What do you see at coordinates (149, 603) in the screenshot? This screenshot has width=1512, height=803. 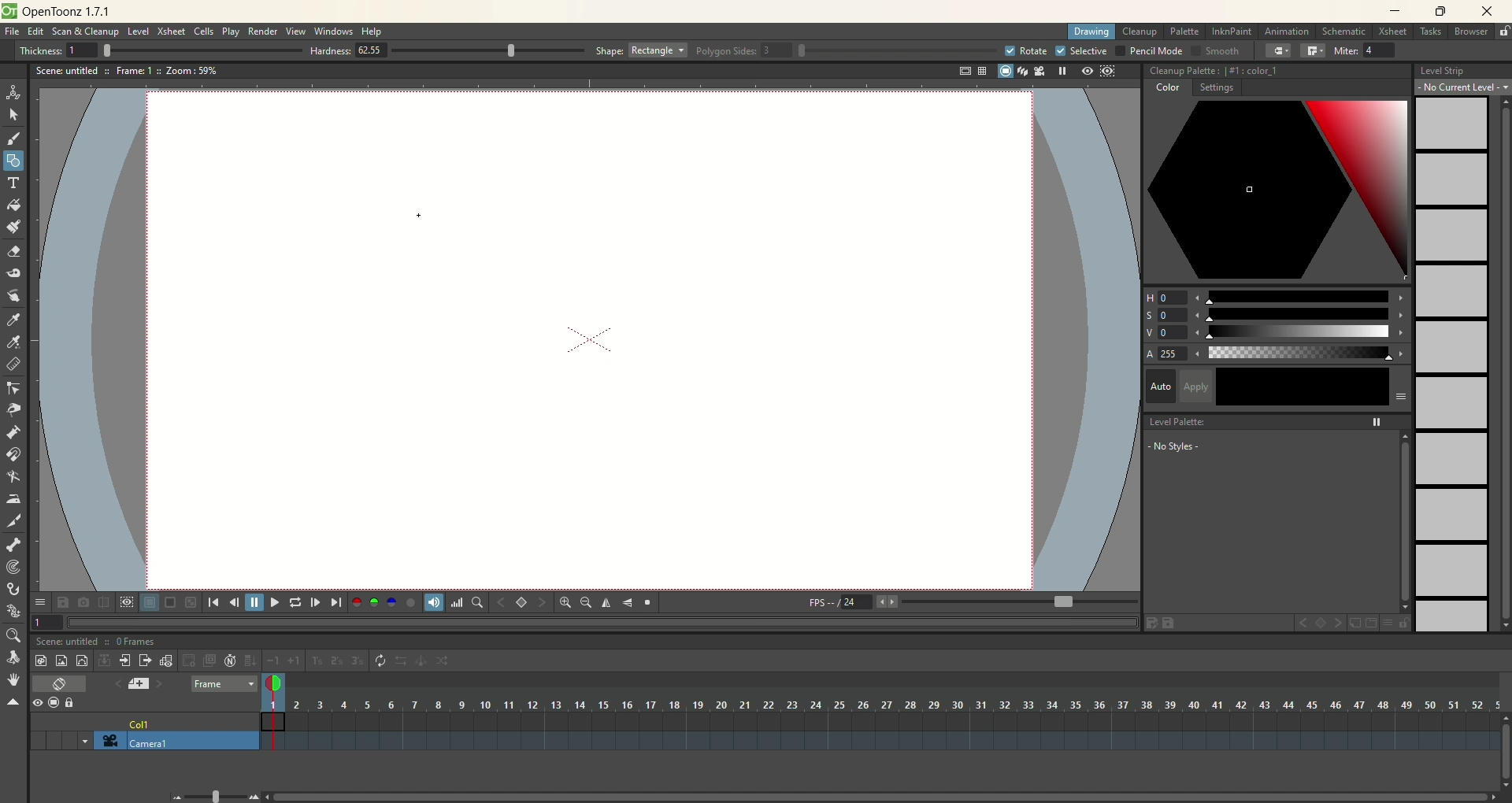 I see `white background` at bounding box center [149, 603].